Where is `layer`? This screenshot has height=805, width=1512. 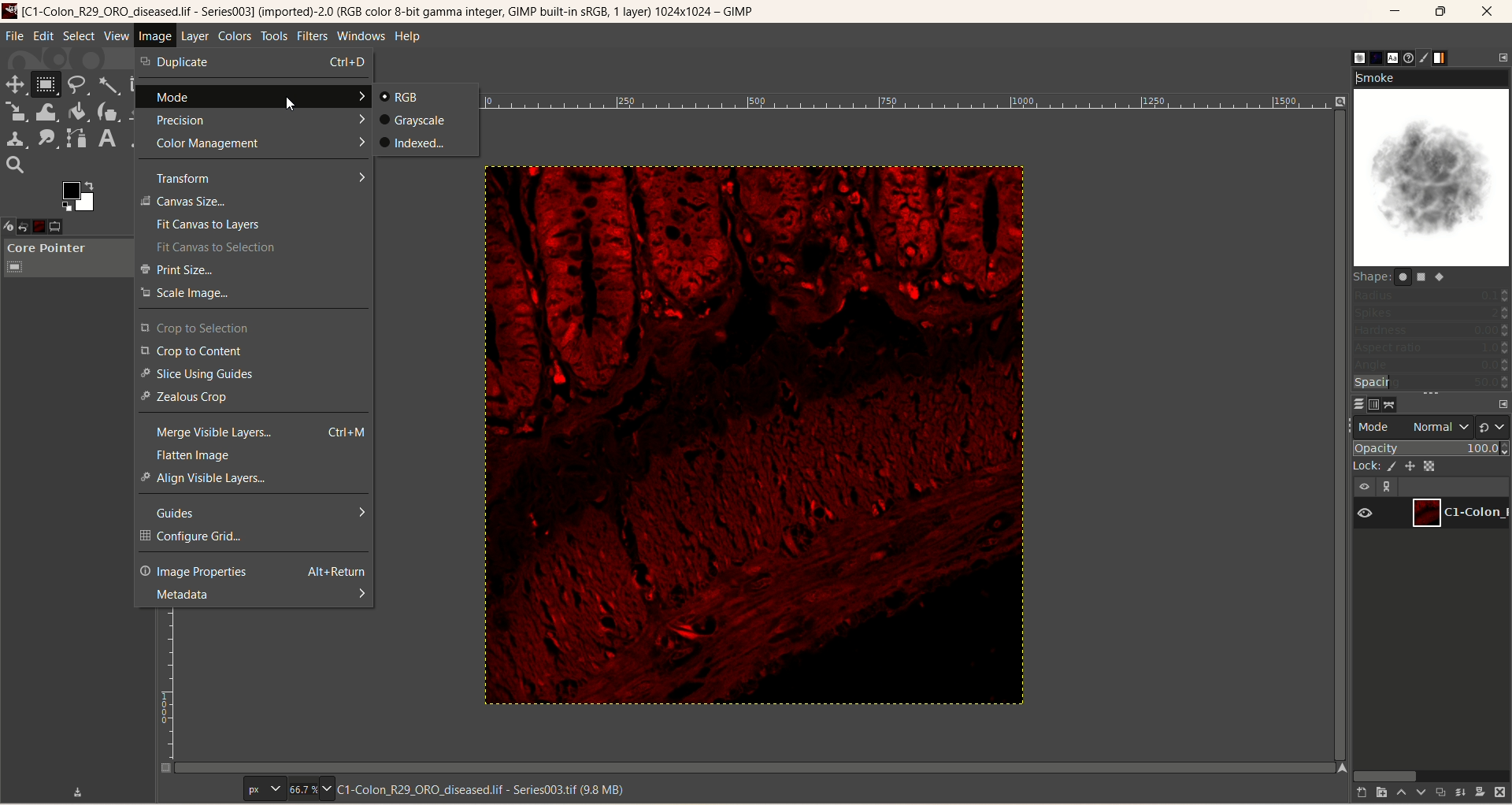 layer is located at coordinates (194, 37).